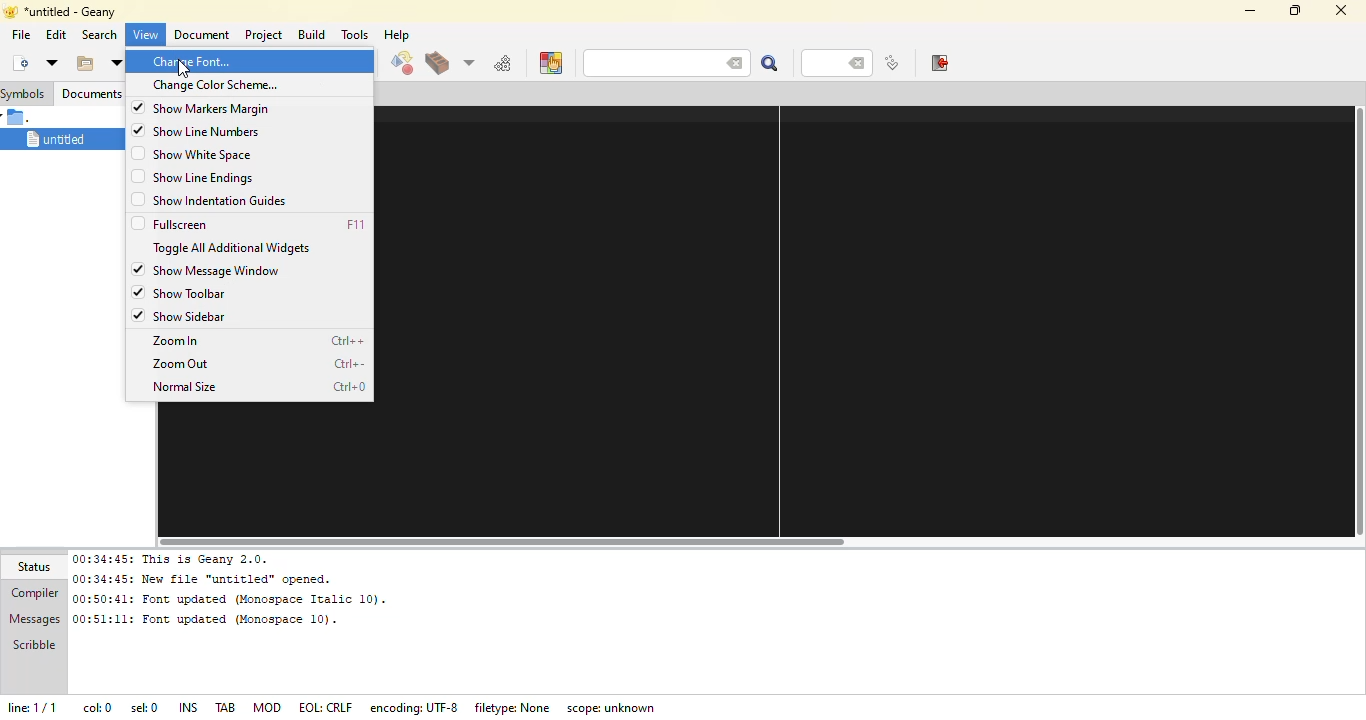 Image resolution: width=1366 pixels, height=720 pixels. I want to click on show toolbar, so click(191, 292).